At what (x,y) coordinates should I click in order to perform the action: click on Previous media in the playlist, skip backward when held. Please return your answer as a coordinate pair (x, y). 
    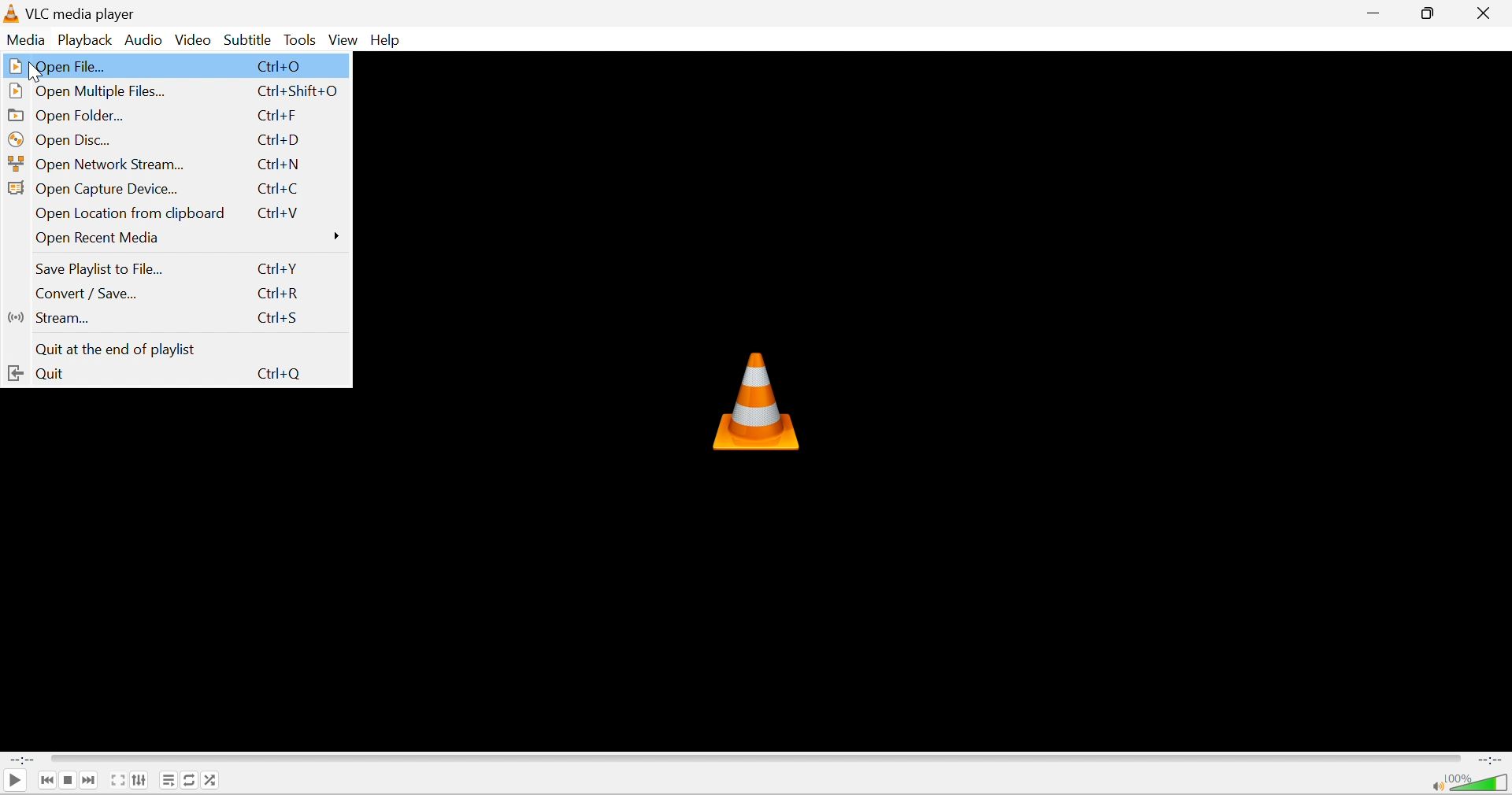
    Looking at the image, I should click on (46, 782).